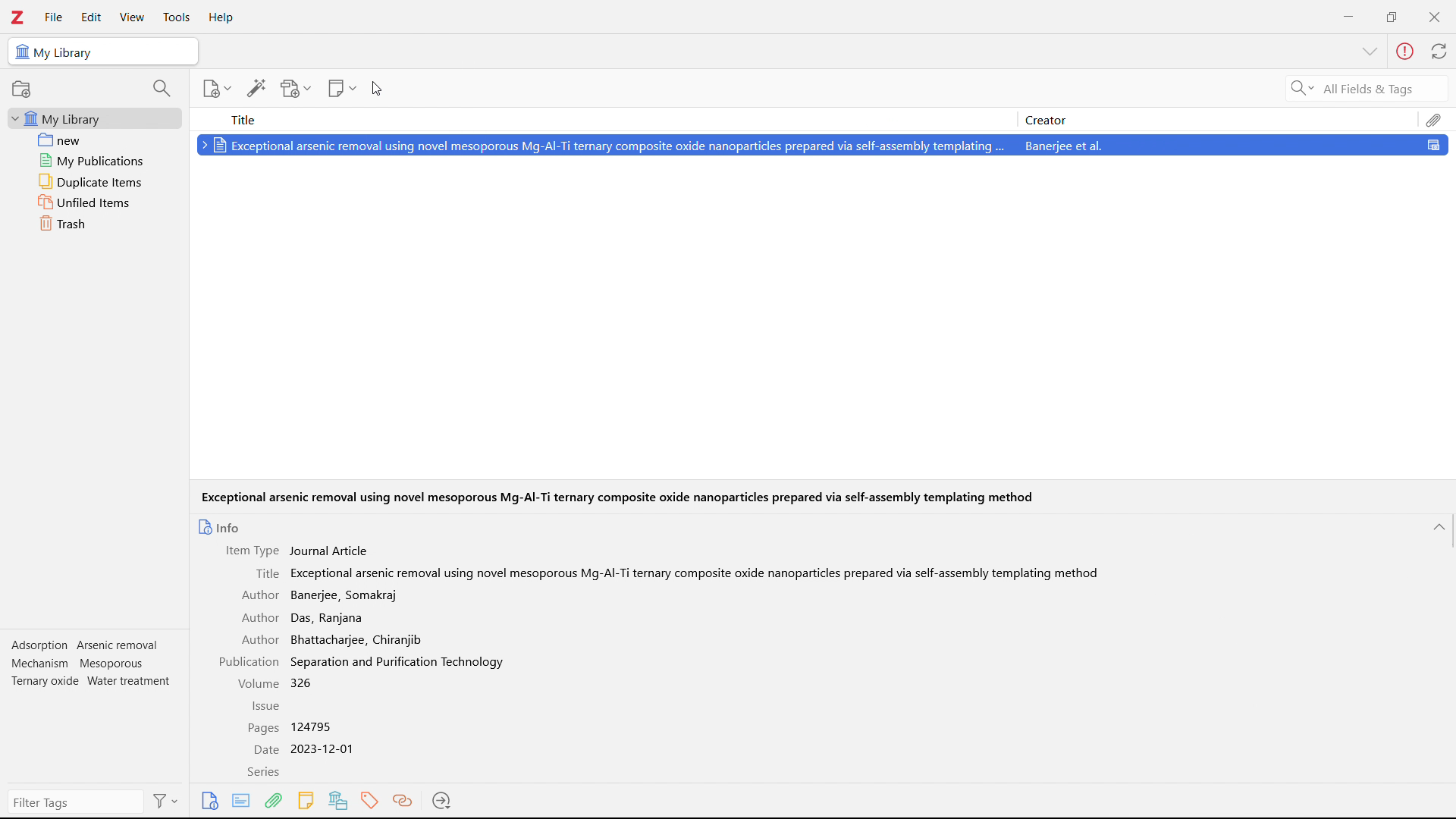  I want to click on Ternary oxide Water treatment, so click(92, 680).